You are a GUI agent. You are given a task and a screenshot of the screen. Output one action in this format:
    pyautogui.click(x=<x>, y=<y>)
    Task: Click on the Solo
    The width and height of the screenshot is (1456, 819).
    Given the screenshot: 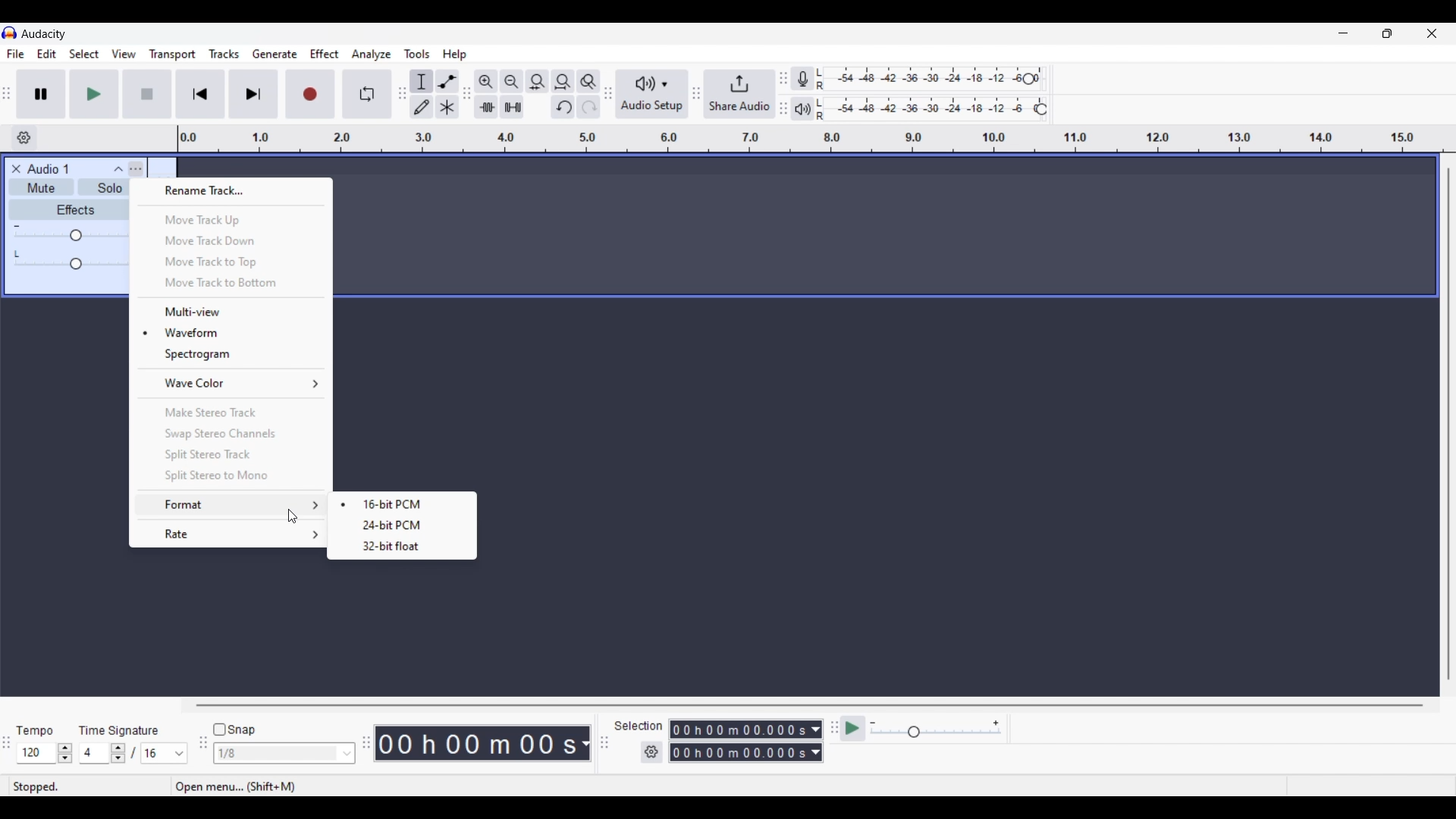 What is the action you would take?
    pyautogui.click(x=109, y=190)
    